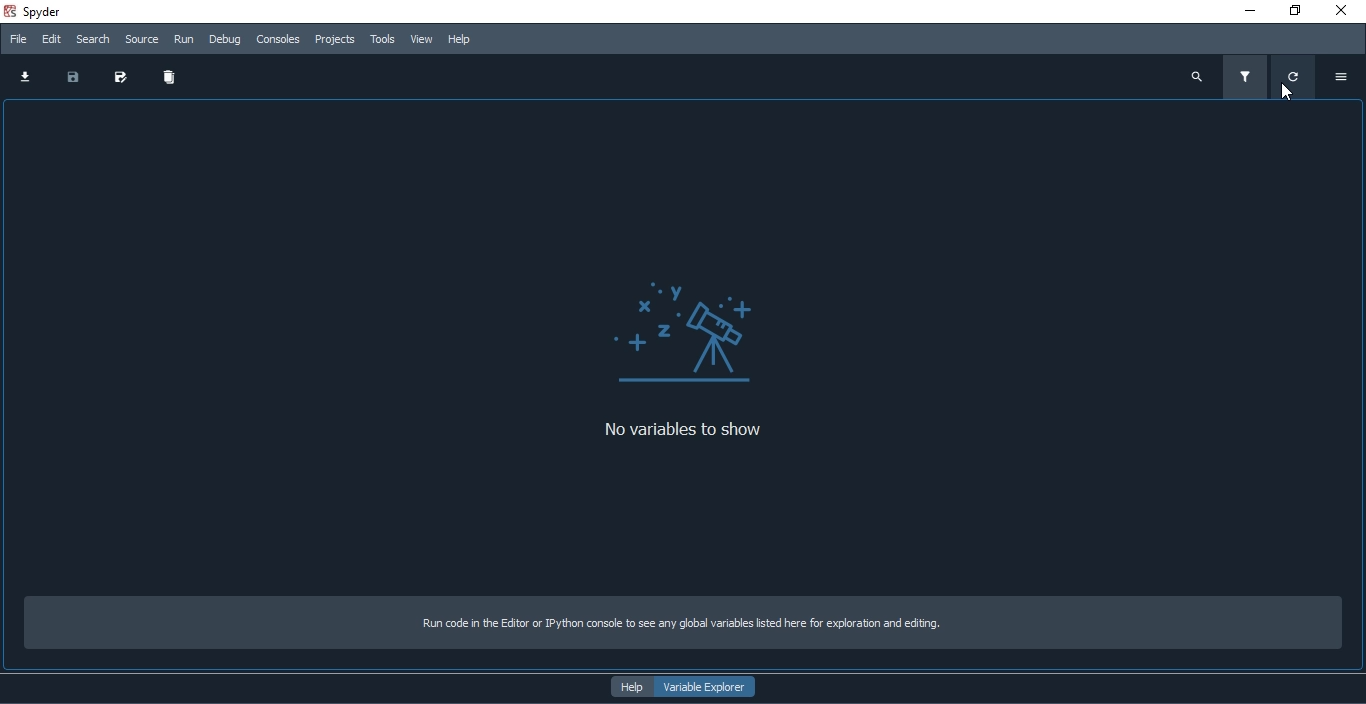  What do you see at coordinates (116, 77) in the screenshot?
I see `save as` at bounding box center [116, 77].